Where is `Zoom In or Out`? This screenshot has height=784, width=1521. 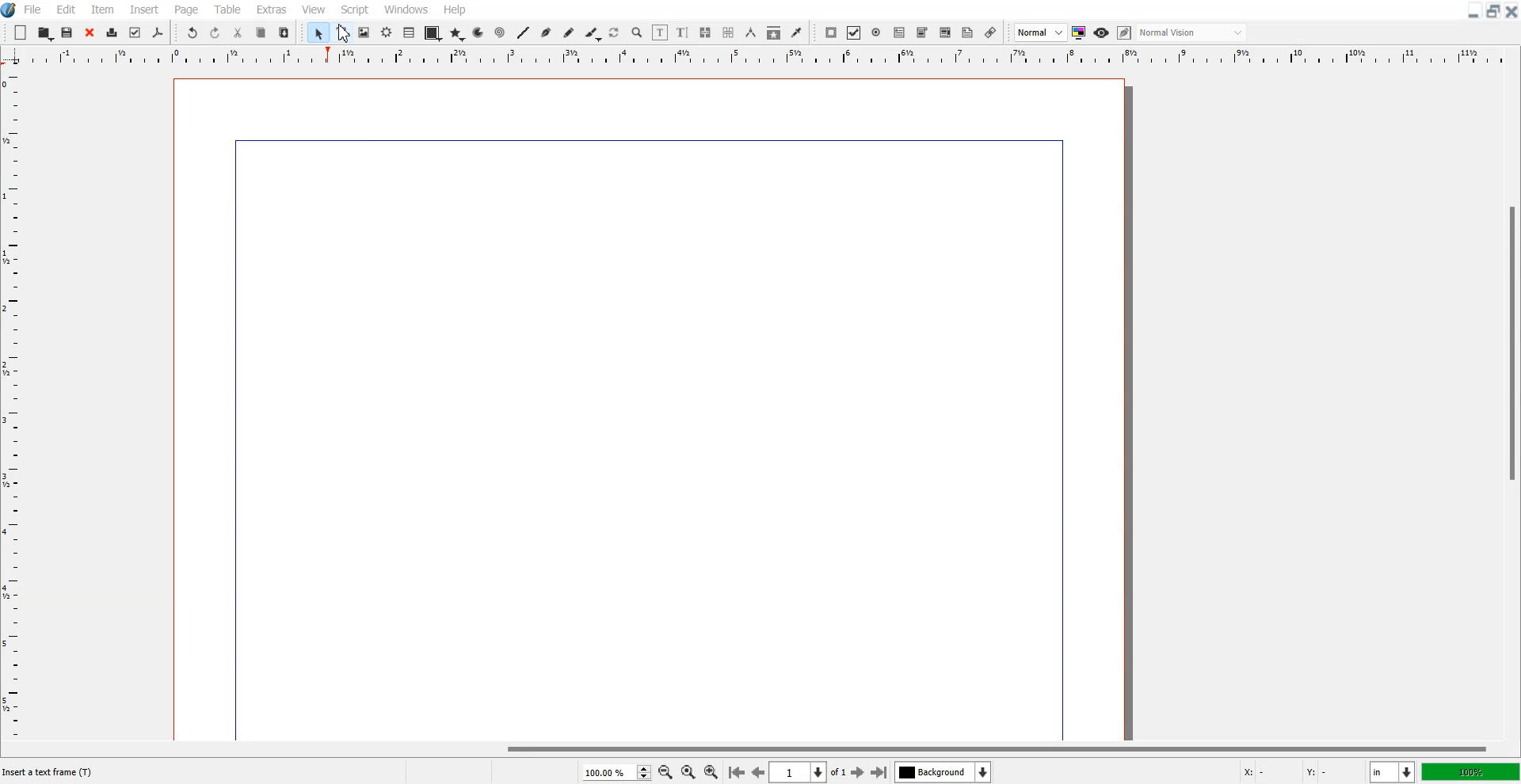 Zoom In or Out is located at coordinates (637, 32).